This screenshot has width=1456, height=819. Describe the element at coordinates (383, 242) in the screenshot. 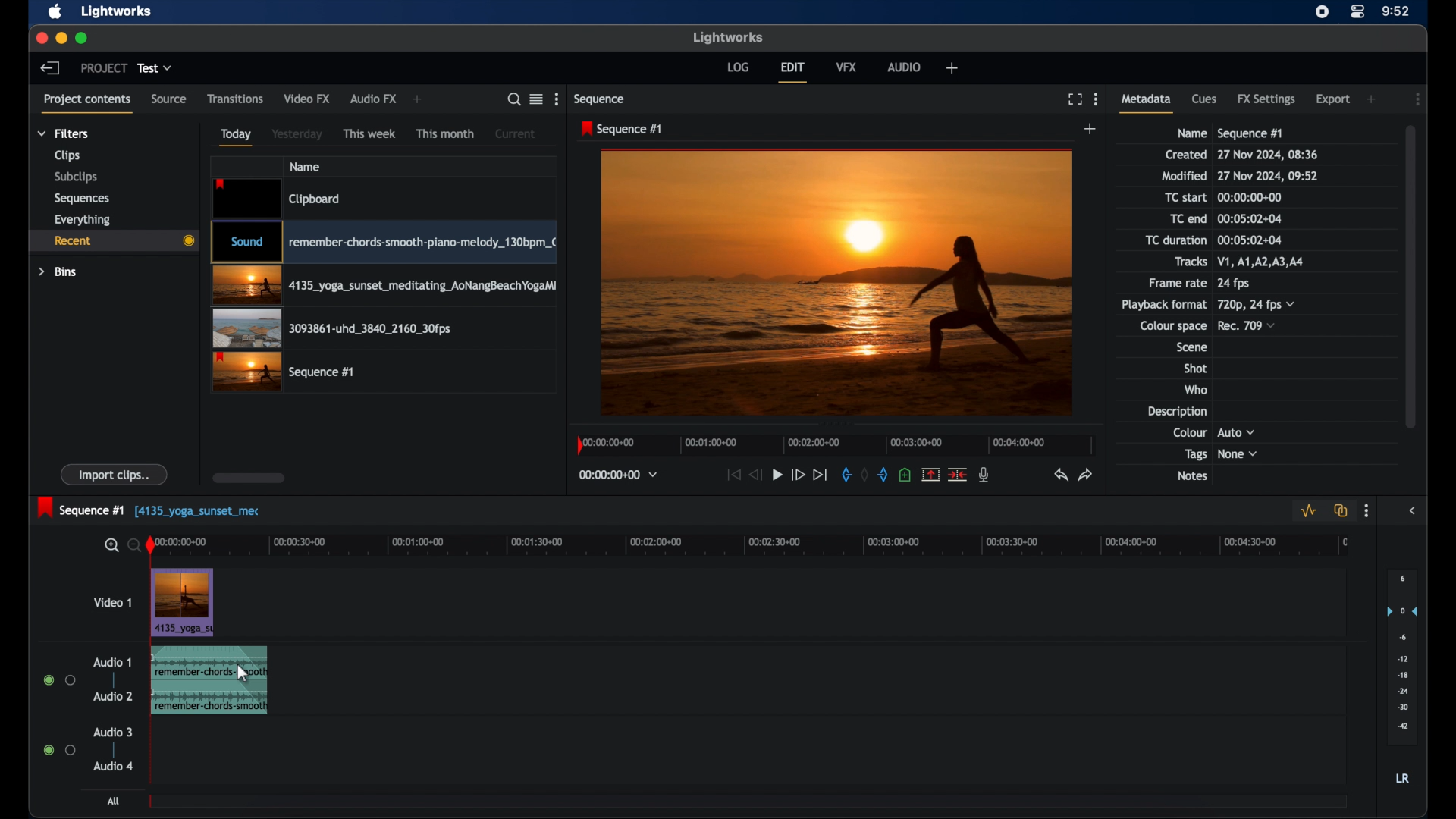

I see `video clip` at that location.